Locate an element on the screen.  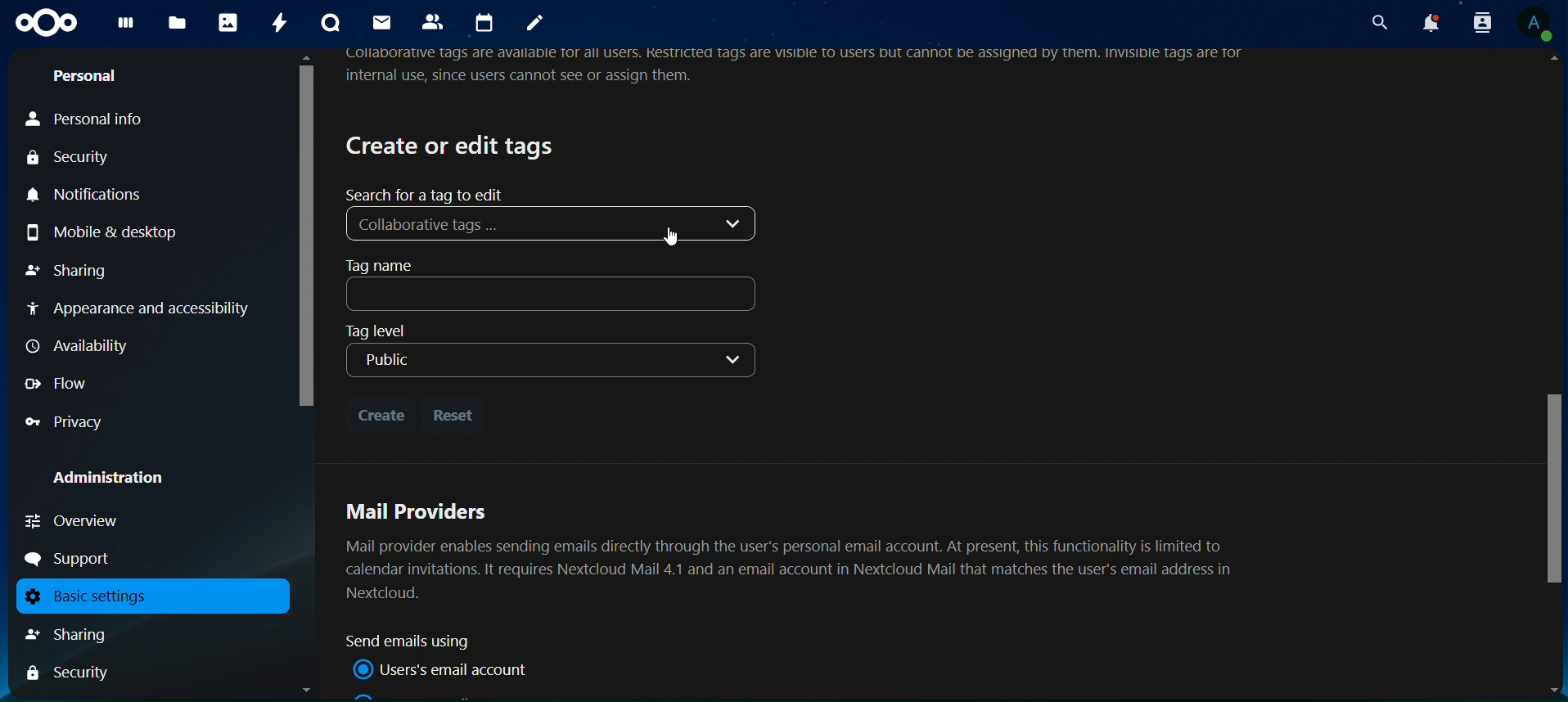
Ollaborative tags are available Tor all USErs. Restricted tags are VISIDIE TO USErs but cannot be assignea by them. InvisiDI€ tags are Tornternal use, since users cannot see or assign them. is located at coordinates (802, 68).